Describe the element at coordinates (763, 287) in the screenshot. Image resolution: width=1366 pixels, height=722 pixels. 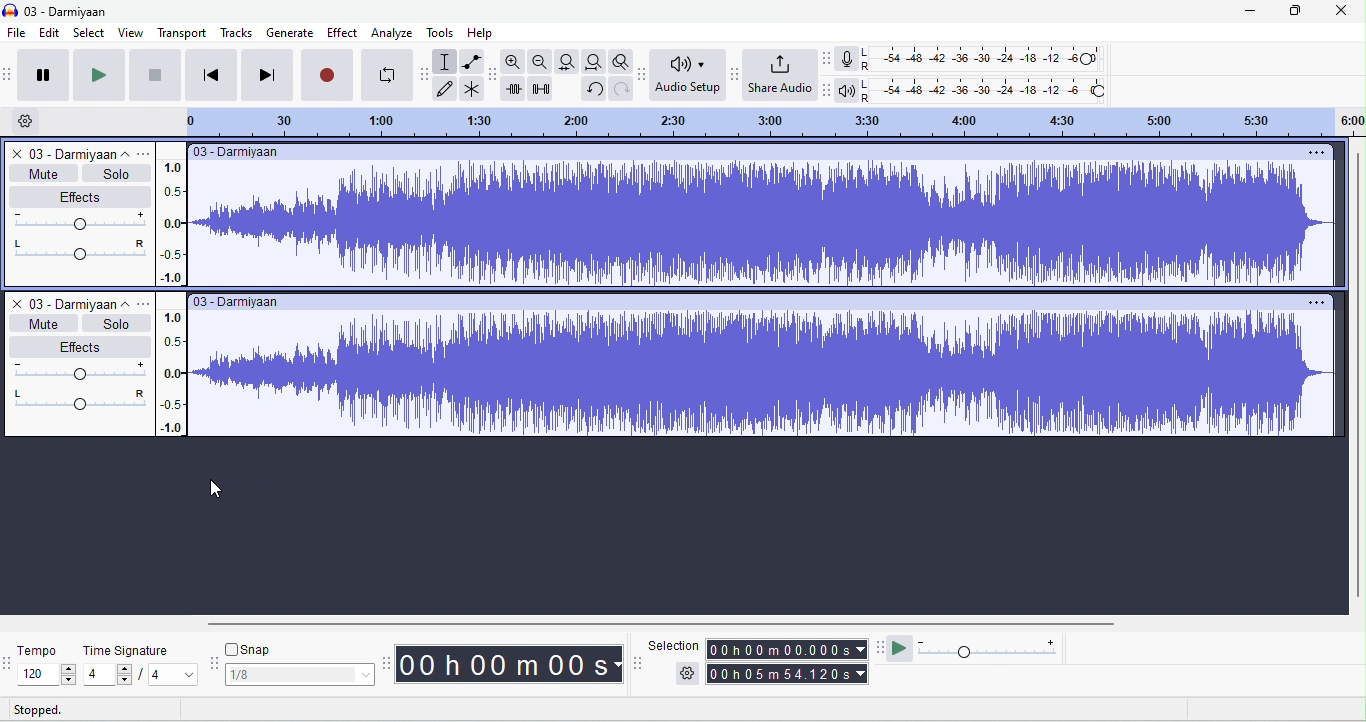
I see `stereo track split into two mono tracks.` at that location.